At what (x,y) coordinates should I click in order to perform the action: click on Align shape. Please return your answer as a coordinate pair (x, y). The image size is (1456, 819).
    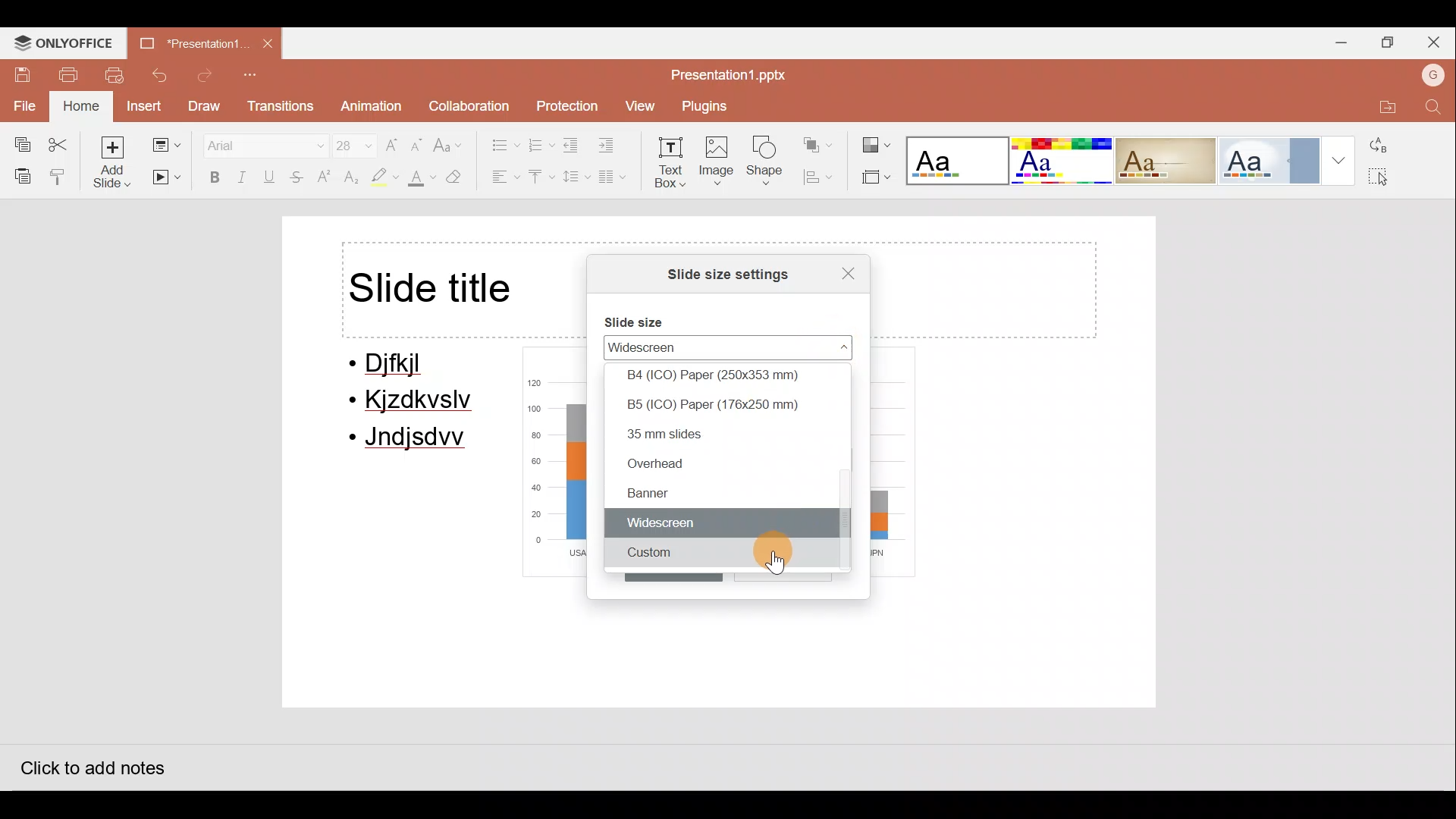
    Looking at the image, I should click on (822, 177).